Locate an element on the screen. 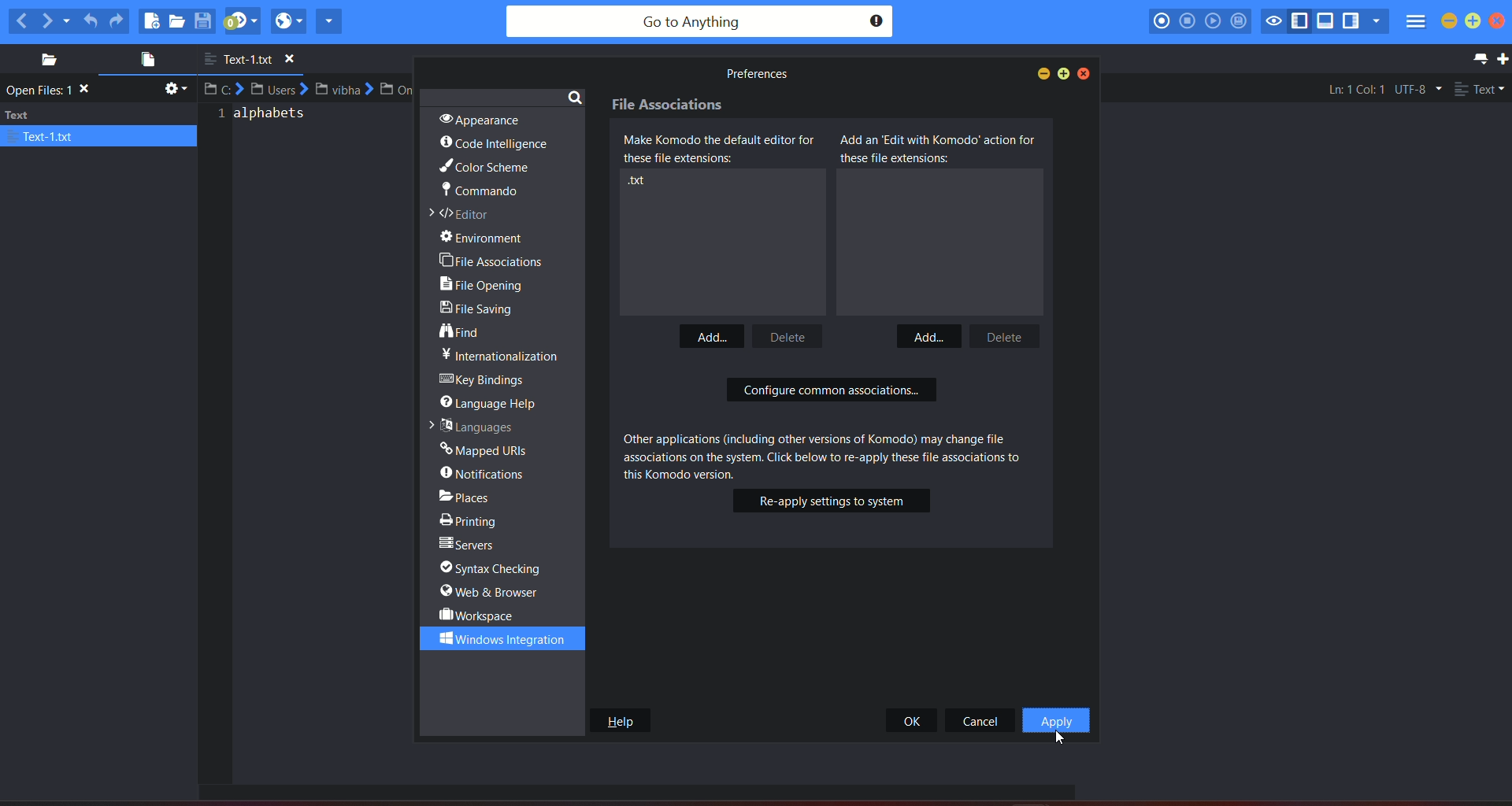  environment is located at coordinates (491, 238).